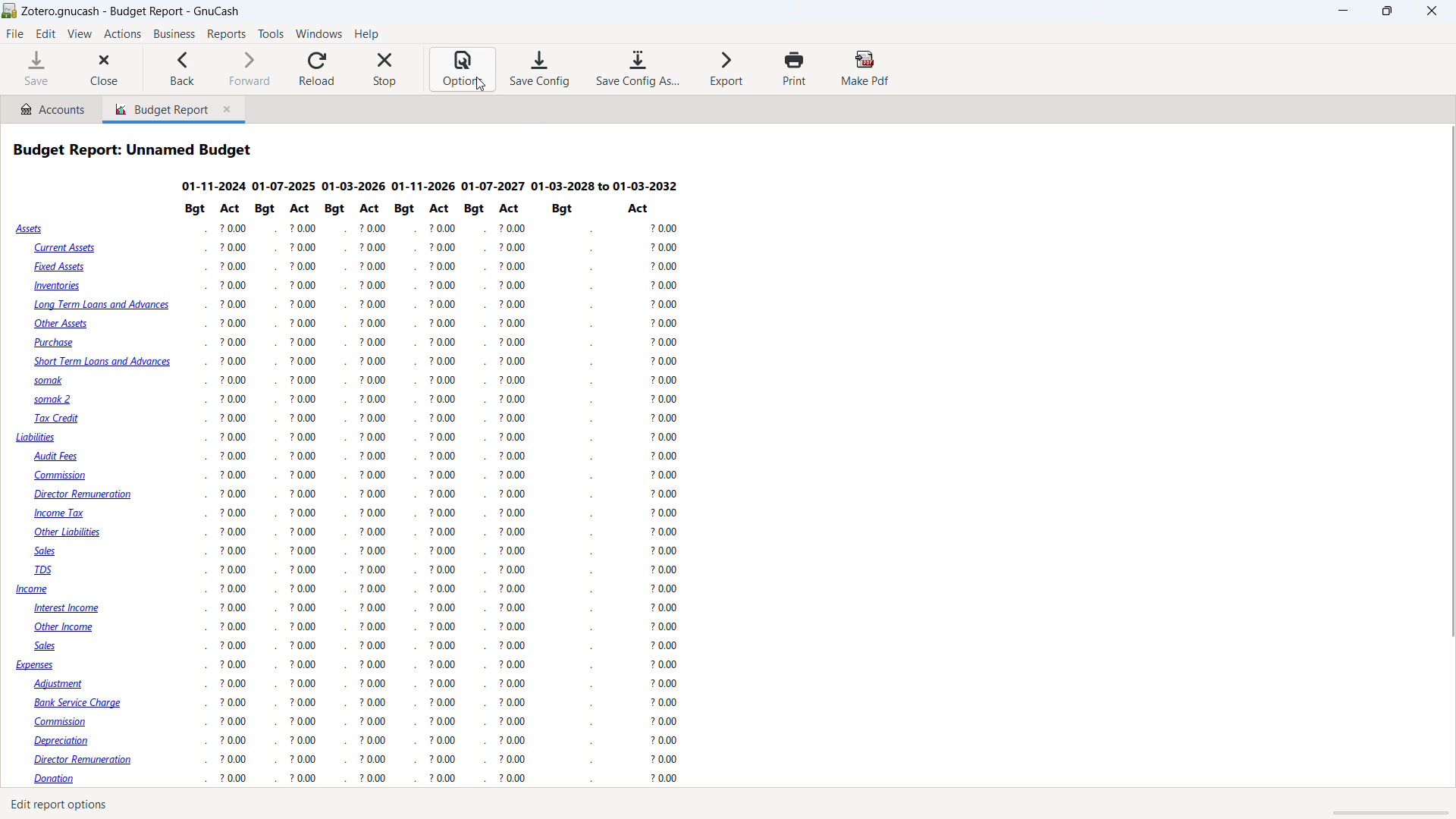 This screenshot has height=819, width=1456. I want to click on close, so click(1432, 11).